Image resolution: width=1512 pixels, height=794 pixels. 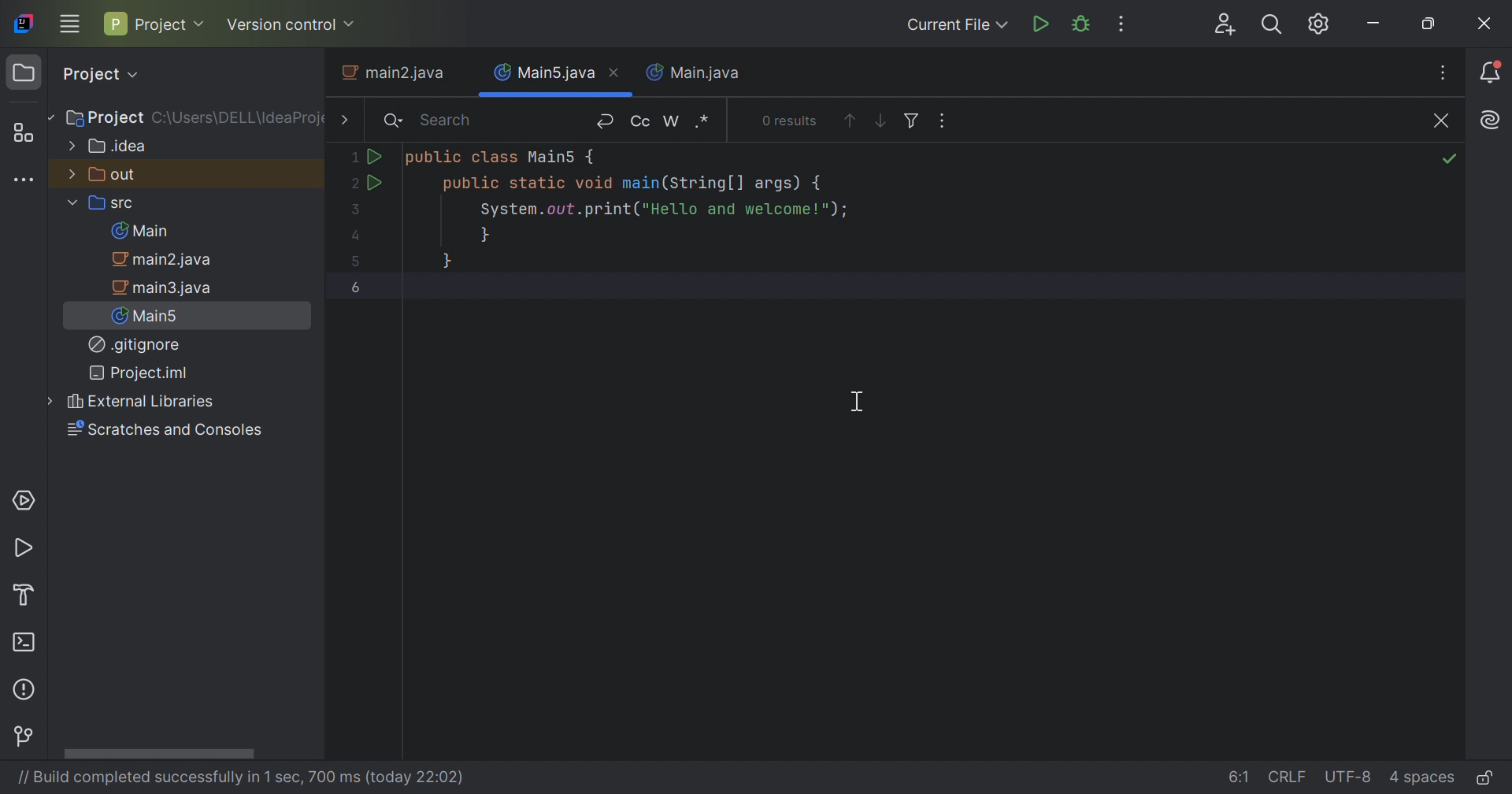 I want to click on Structure, so click(x=27, y=134).